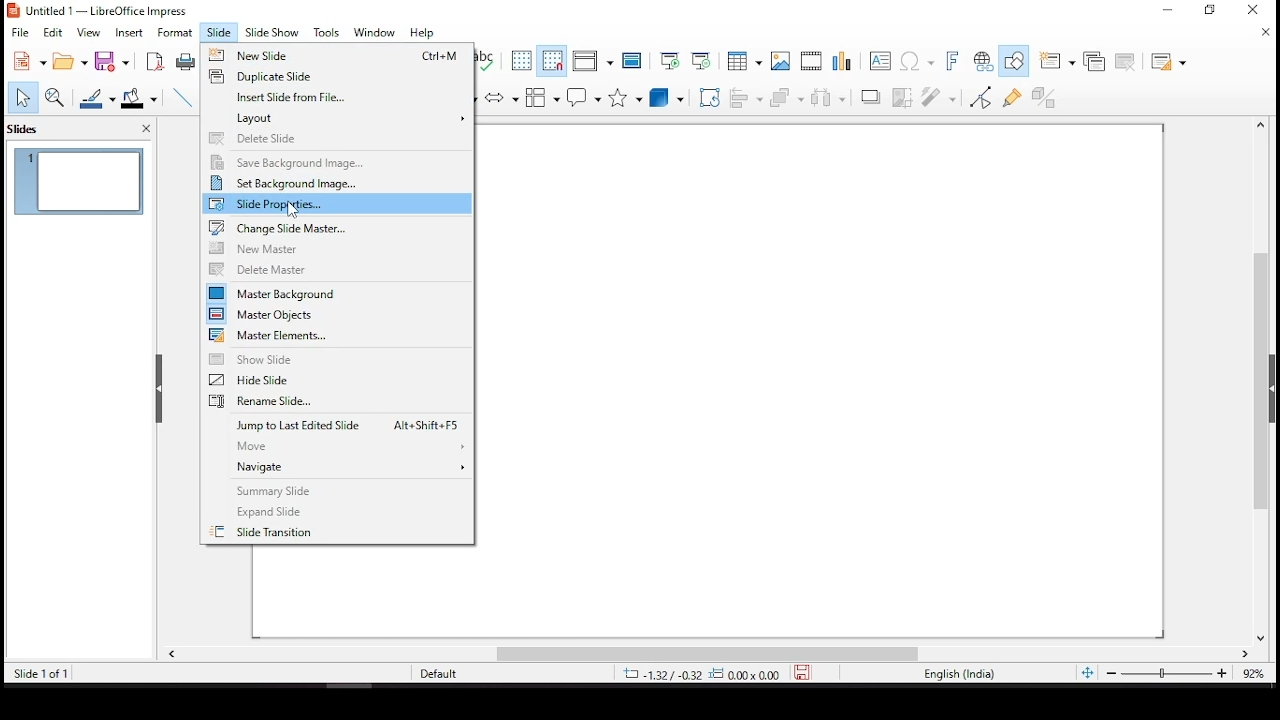  Describe the element at coordinates (1168, 9) in the screenshot. I see `minimize` at that location.